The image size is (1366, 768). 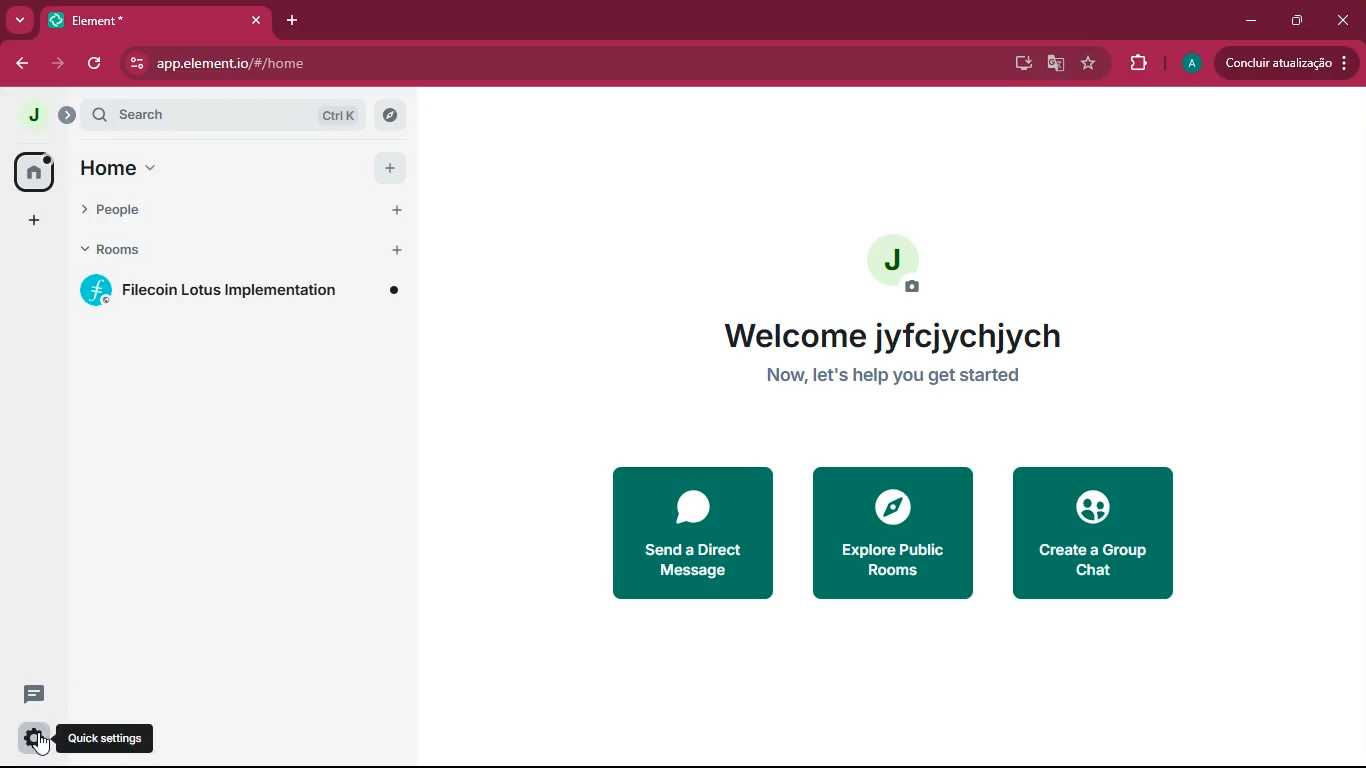 I want to click on update, so click(x=1283, y=63).